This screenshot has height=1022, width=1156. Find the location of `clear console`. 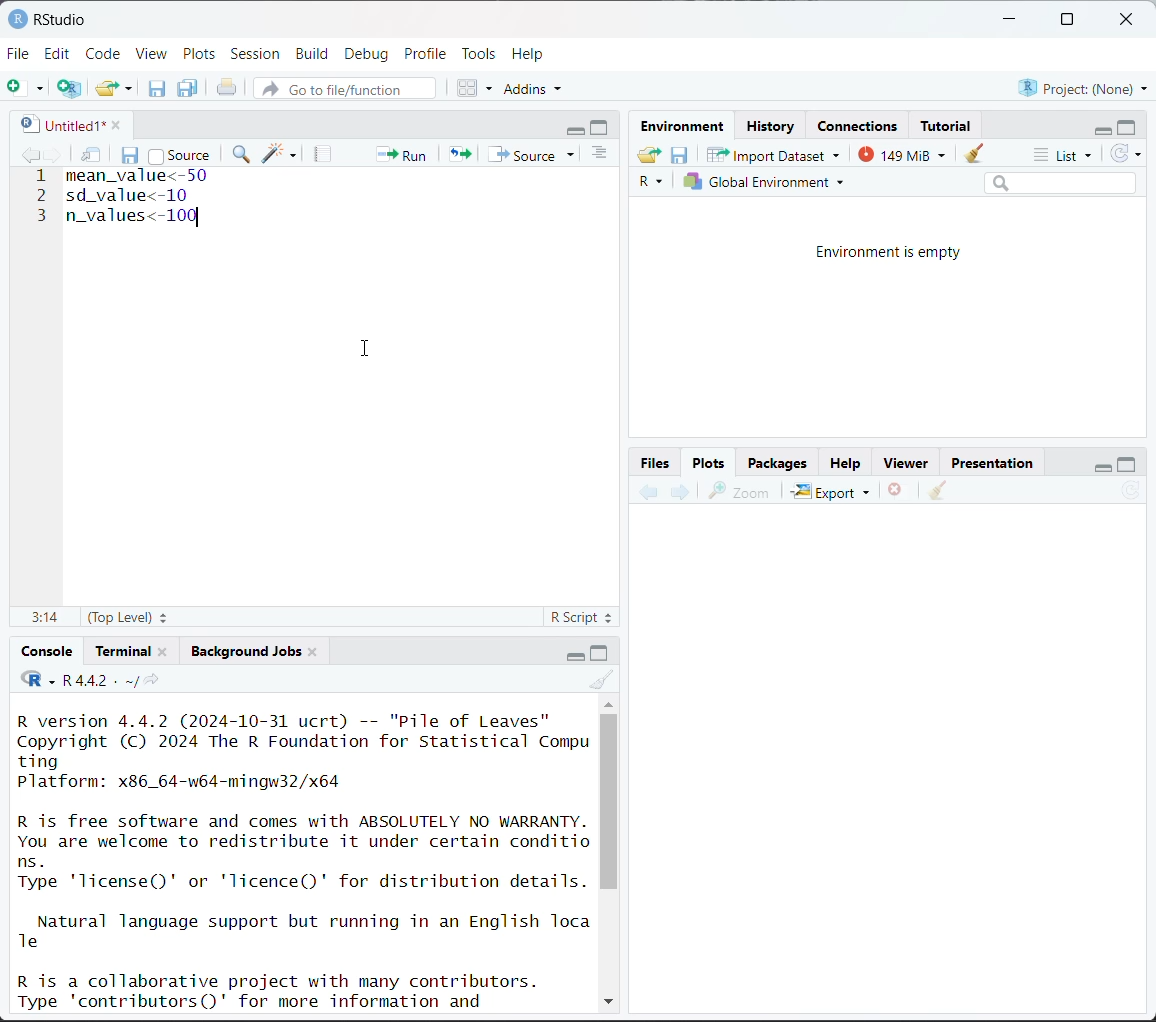

clear console is located at coordinates (604, 680).